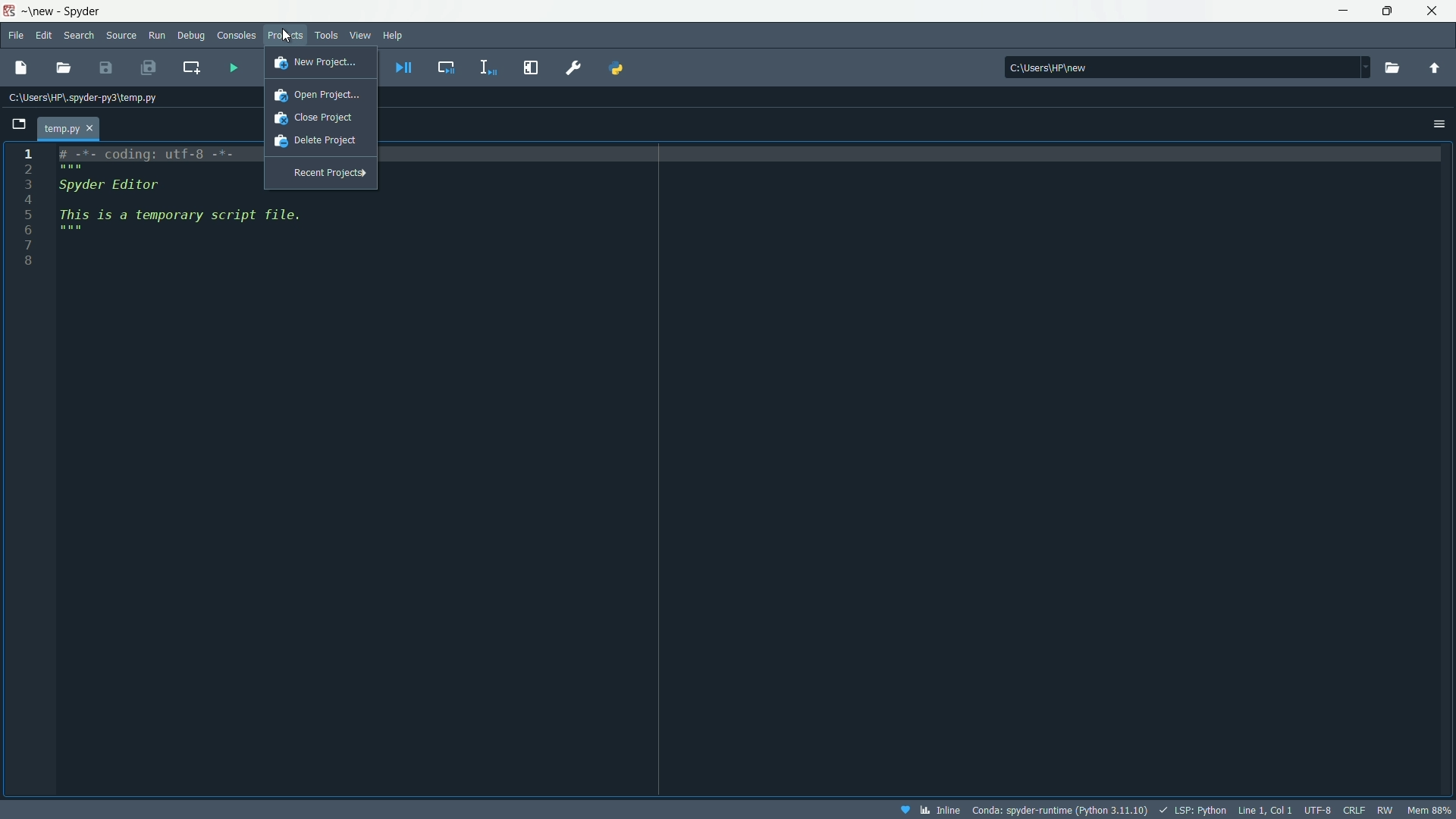 This screenshot has height=819, width=1456. What do you see at coordinates (27, 207) in the screenshot?
I see `Line numbers` at bounding box center [27, 207].